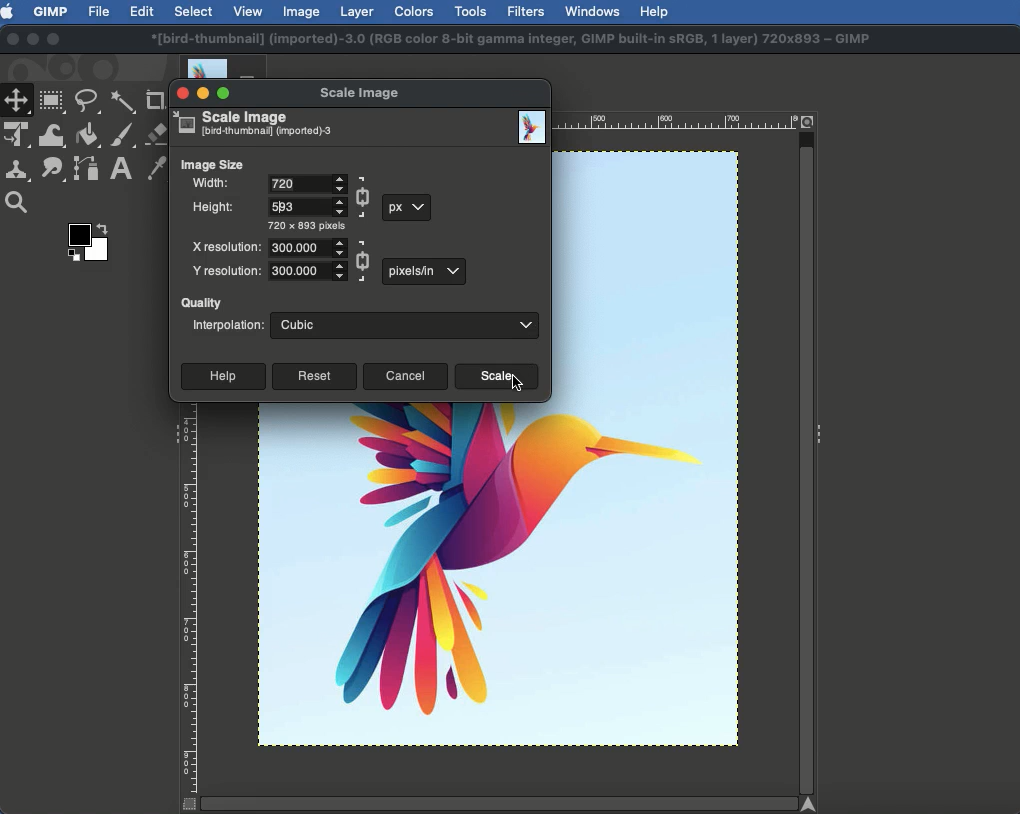  I want to click on Scale image, so click(358, 88).